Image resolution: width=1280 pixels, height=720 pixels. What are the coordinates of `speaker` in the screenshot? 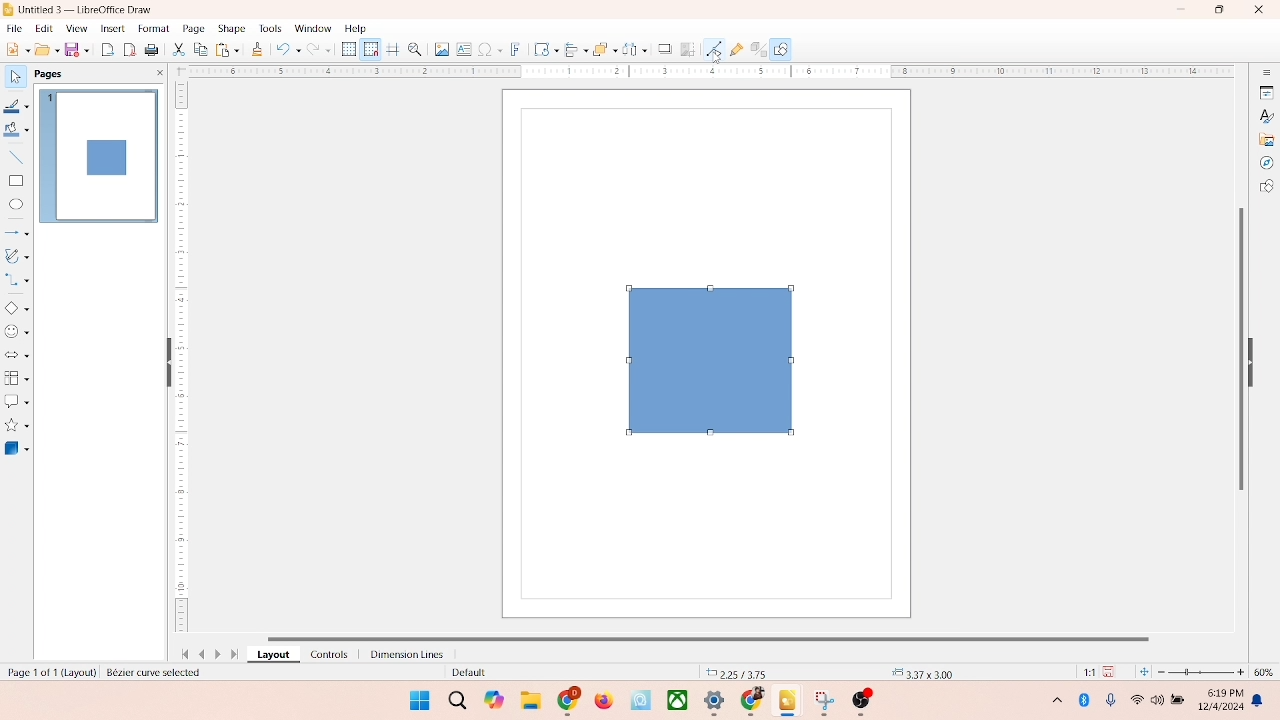 It's located at (1160, 700).